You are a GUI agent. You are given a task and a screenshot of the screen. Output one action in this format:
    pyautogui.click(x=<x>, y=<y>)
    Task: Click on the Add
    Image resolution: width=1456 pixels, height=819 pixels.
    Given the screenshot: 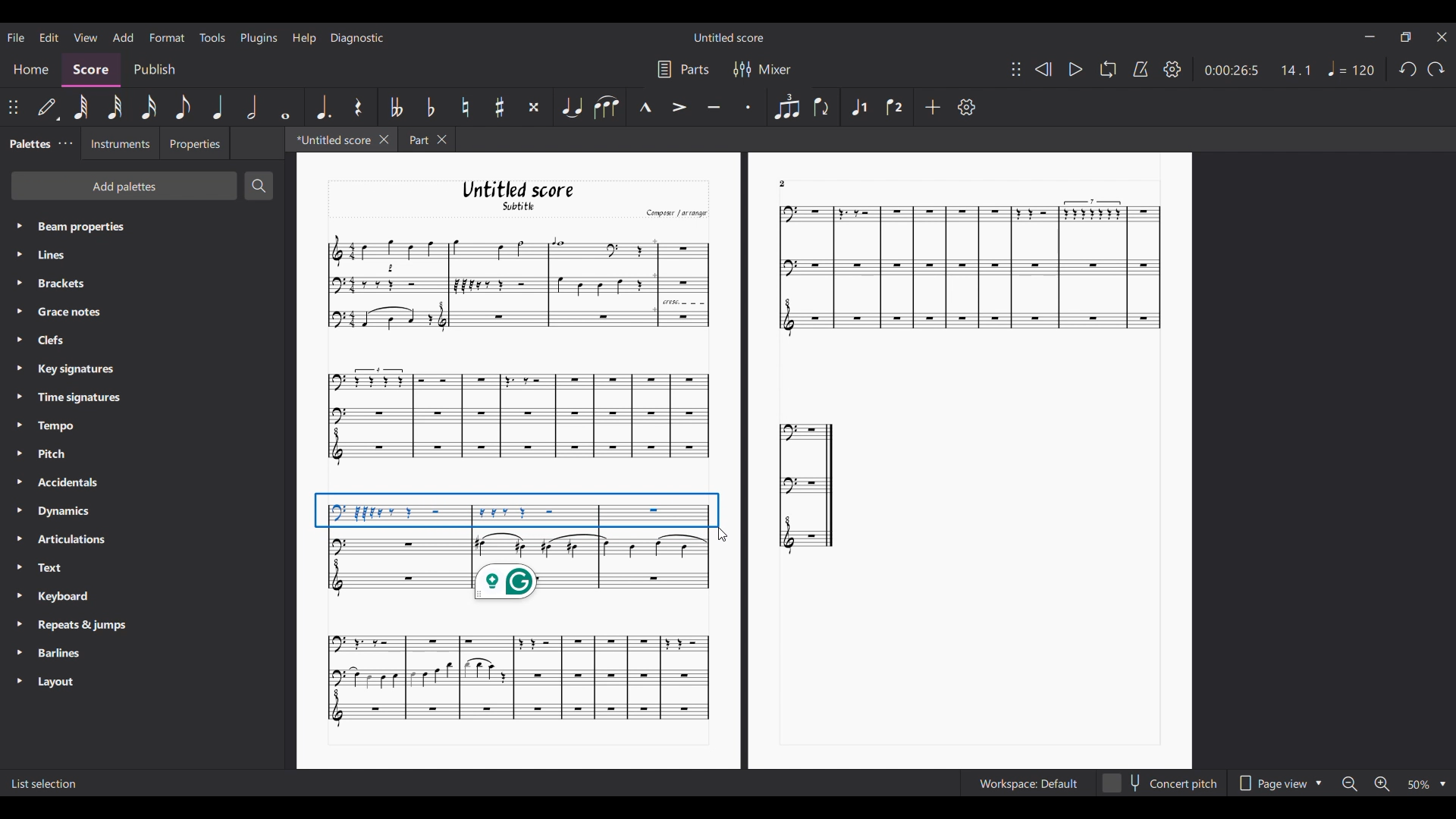 What is the action you would take?
    pyautogui.click(x=934, y=107)
    